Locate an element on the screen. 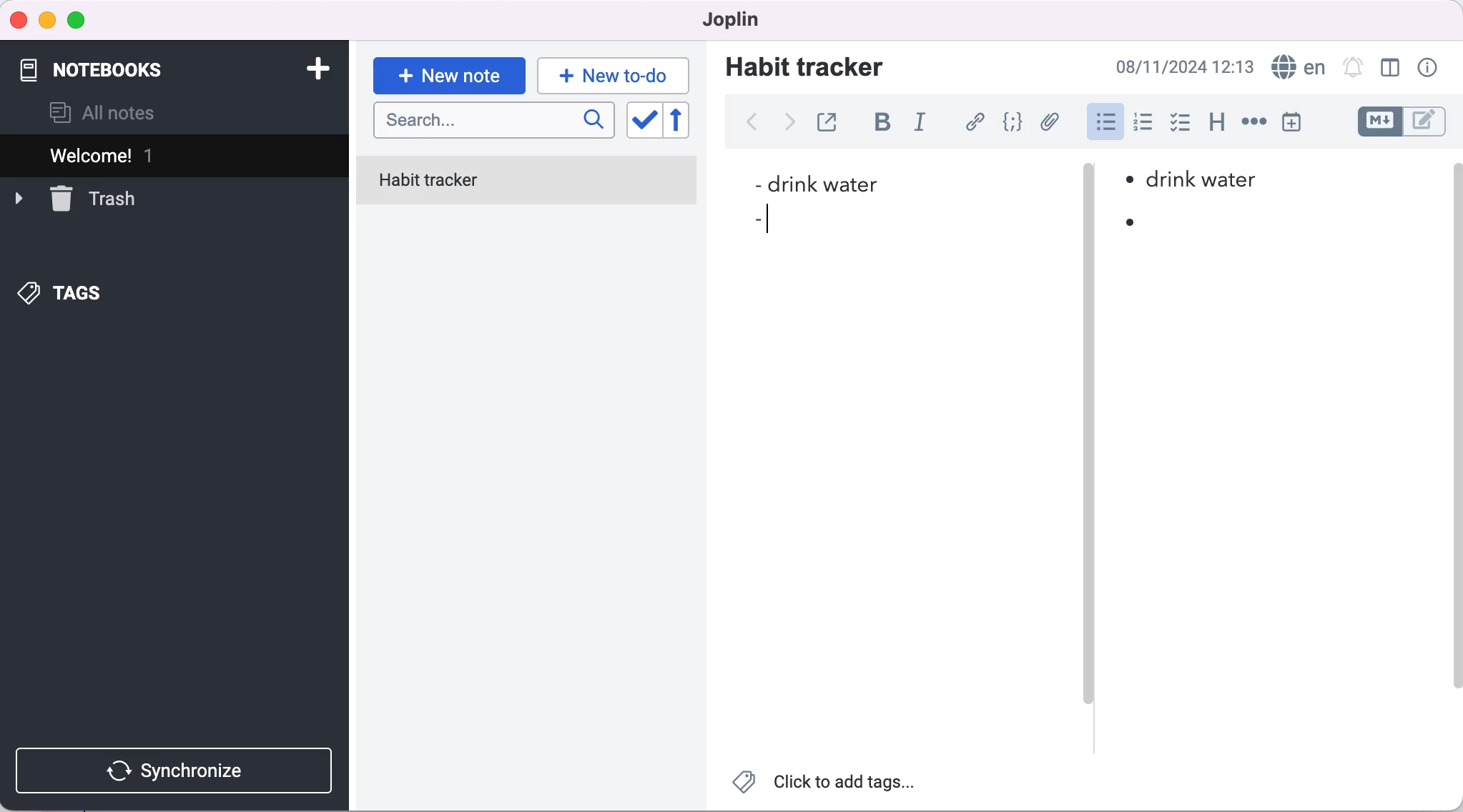  toggle sort order field is located at coordinates (643, 122).